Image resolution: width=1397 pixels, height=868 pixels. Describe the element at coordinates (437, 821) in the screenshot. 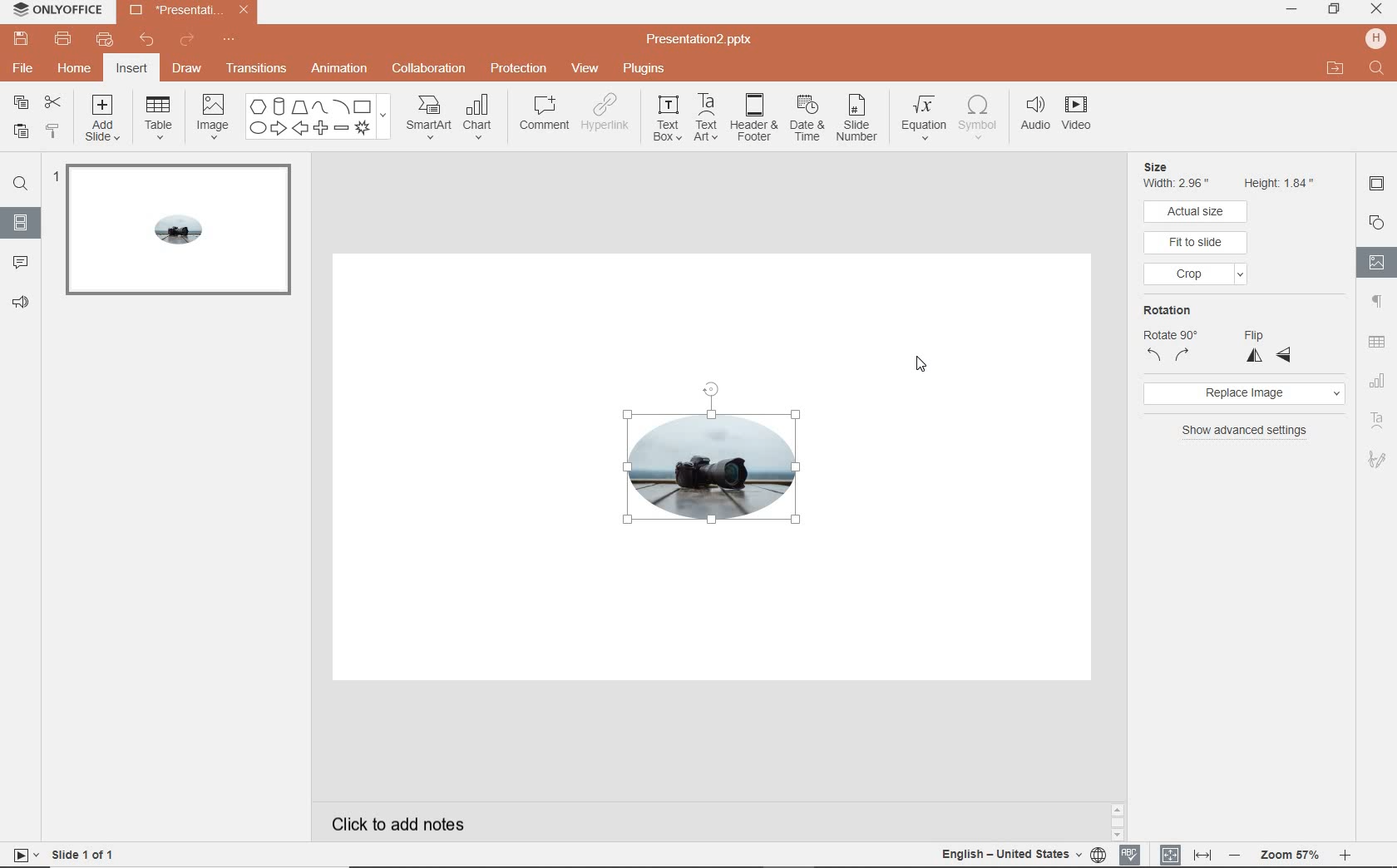

I see `click to add notes` at that location.